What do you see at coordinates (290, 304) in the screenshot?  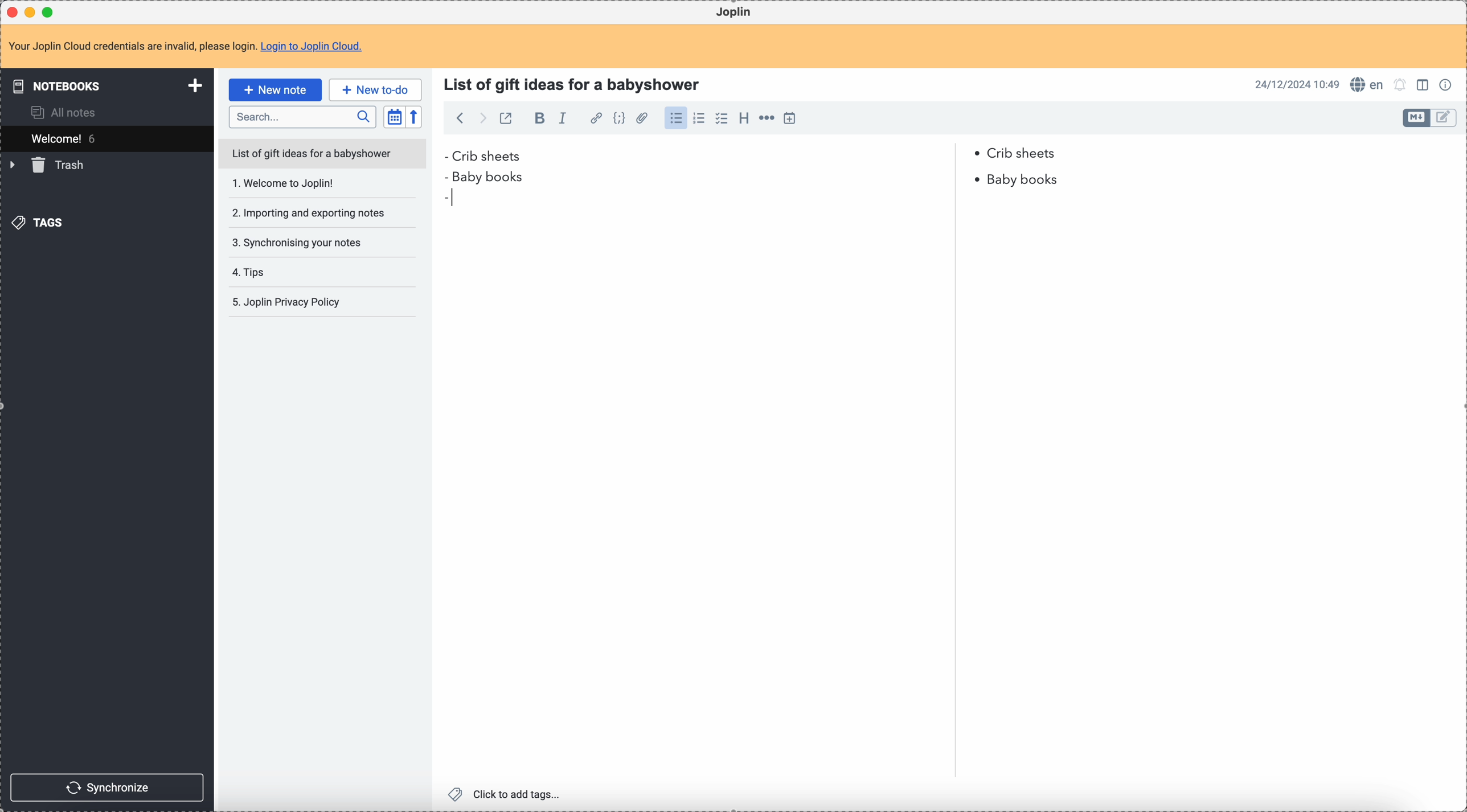 I see `joplin privacy policy` at bounding box center [290, 304].